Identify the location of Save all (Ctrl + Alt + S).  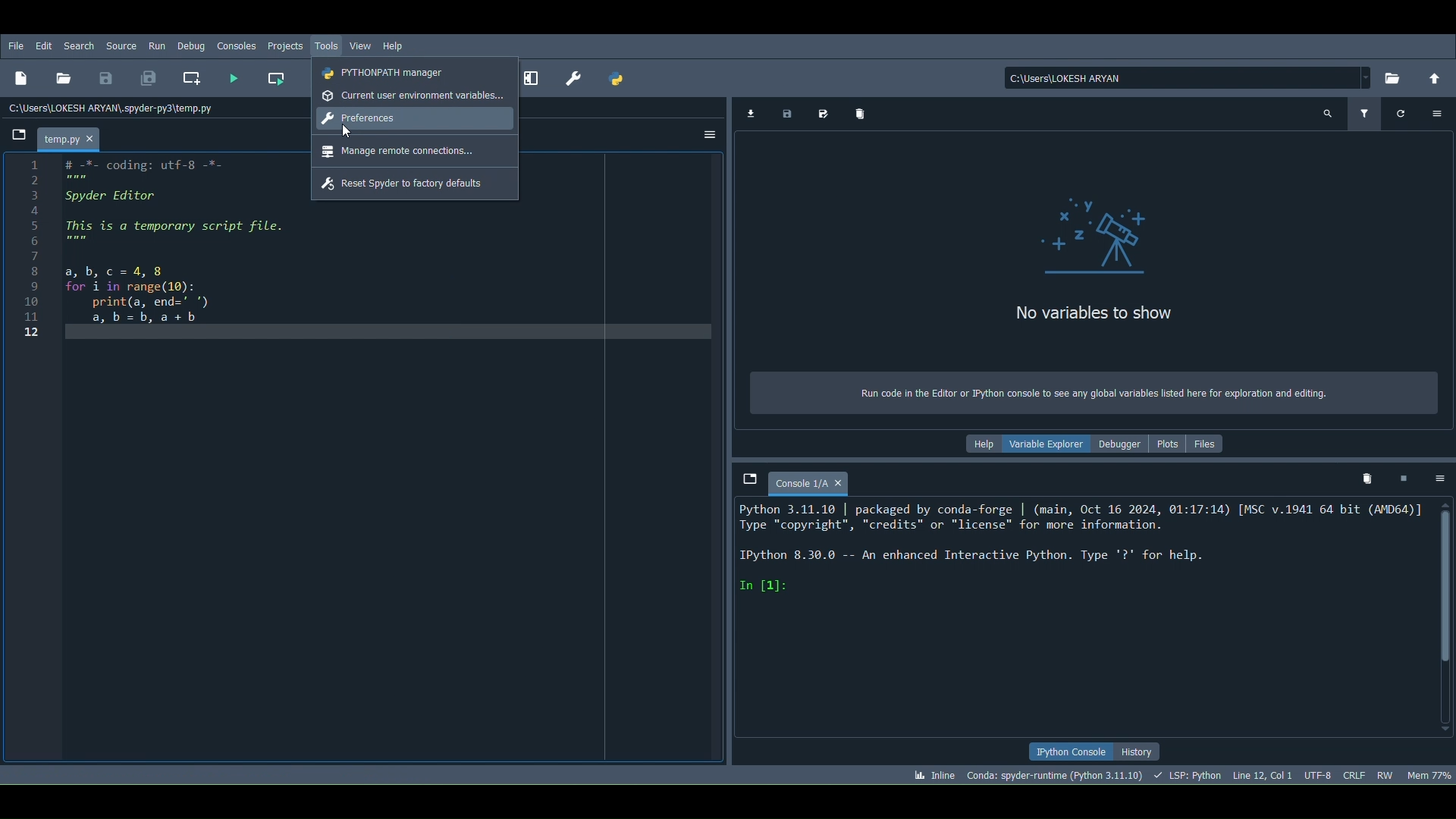
(147, 76).